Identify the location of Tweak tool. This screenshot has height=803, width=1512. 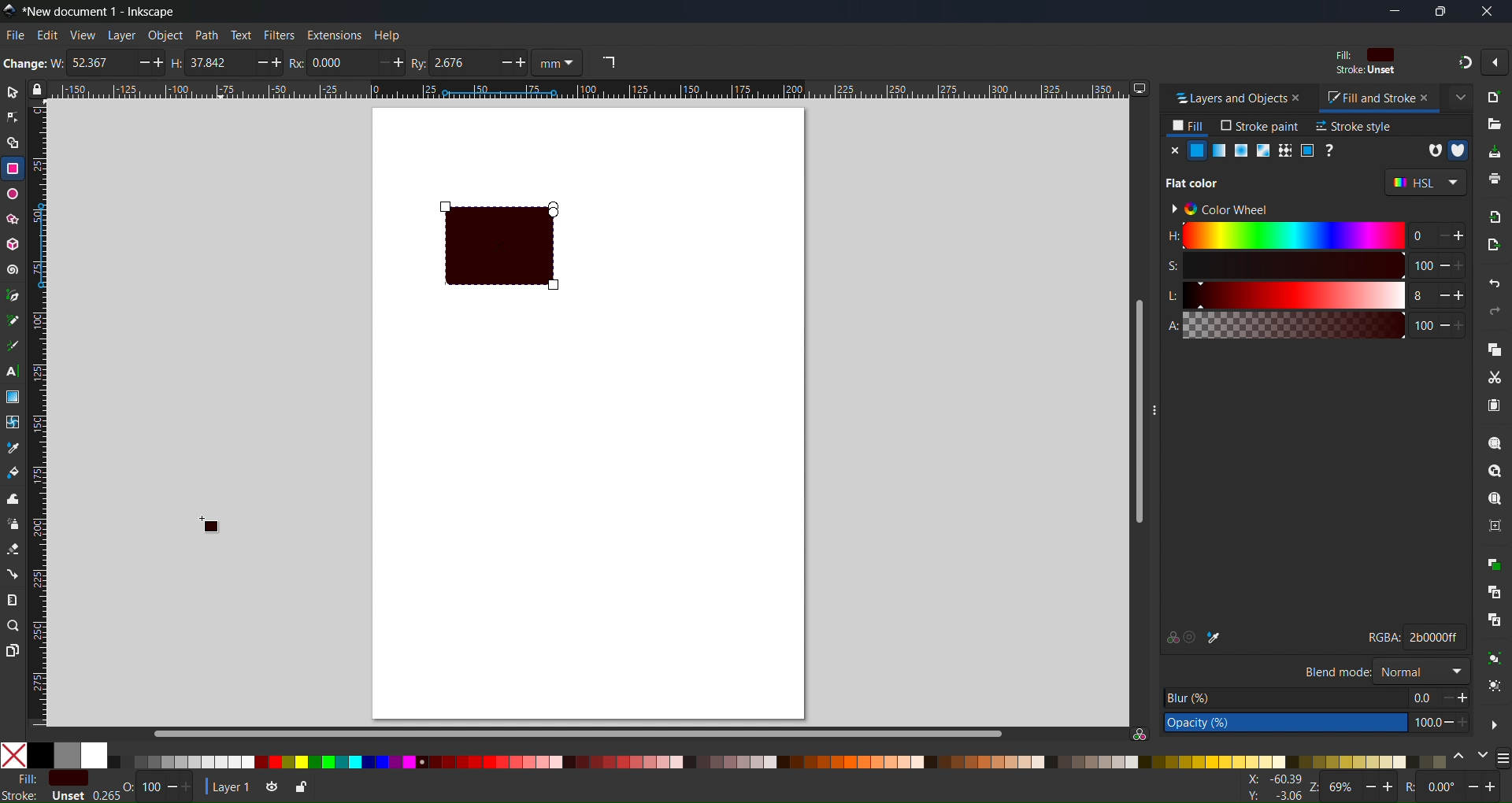
(13, 498).